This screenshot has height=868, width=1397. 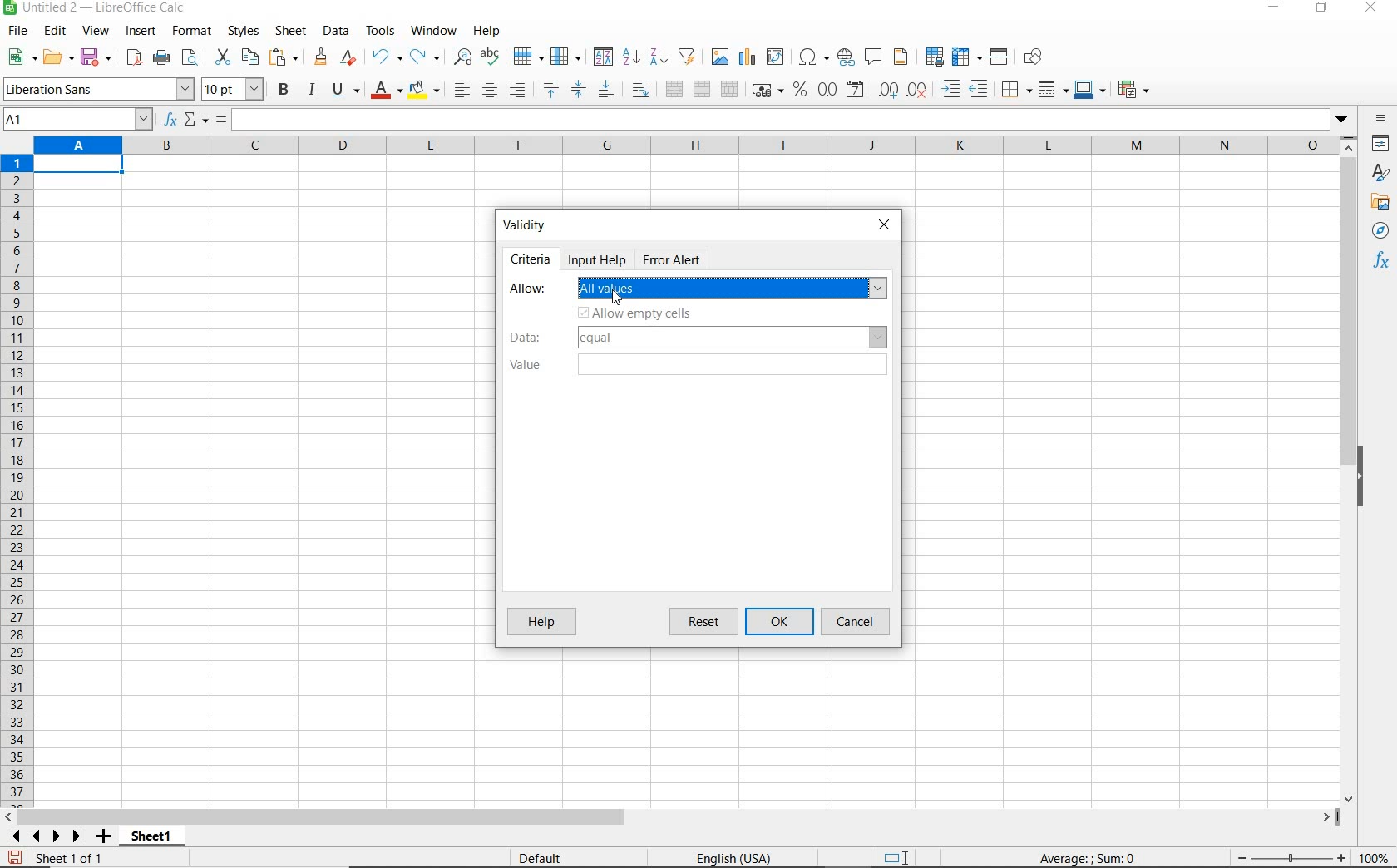 What do you see at coordinates (904, 57) in the screenshot?
I see `headers and footers` at bounding box center [904, 57].